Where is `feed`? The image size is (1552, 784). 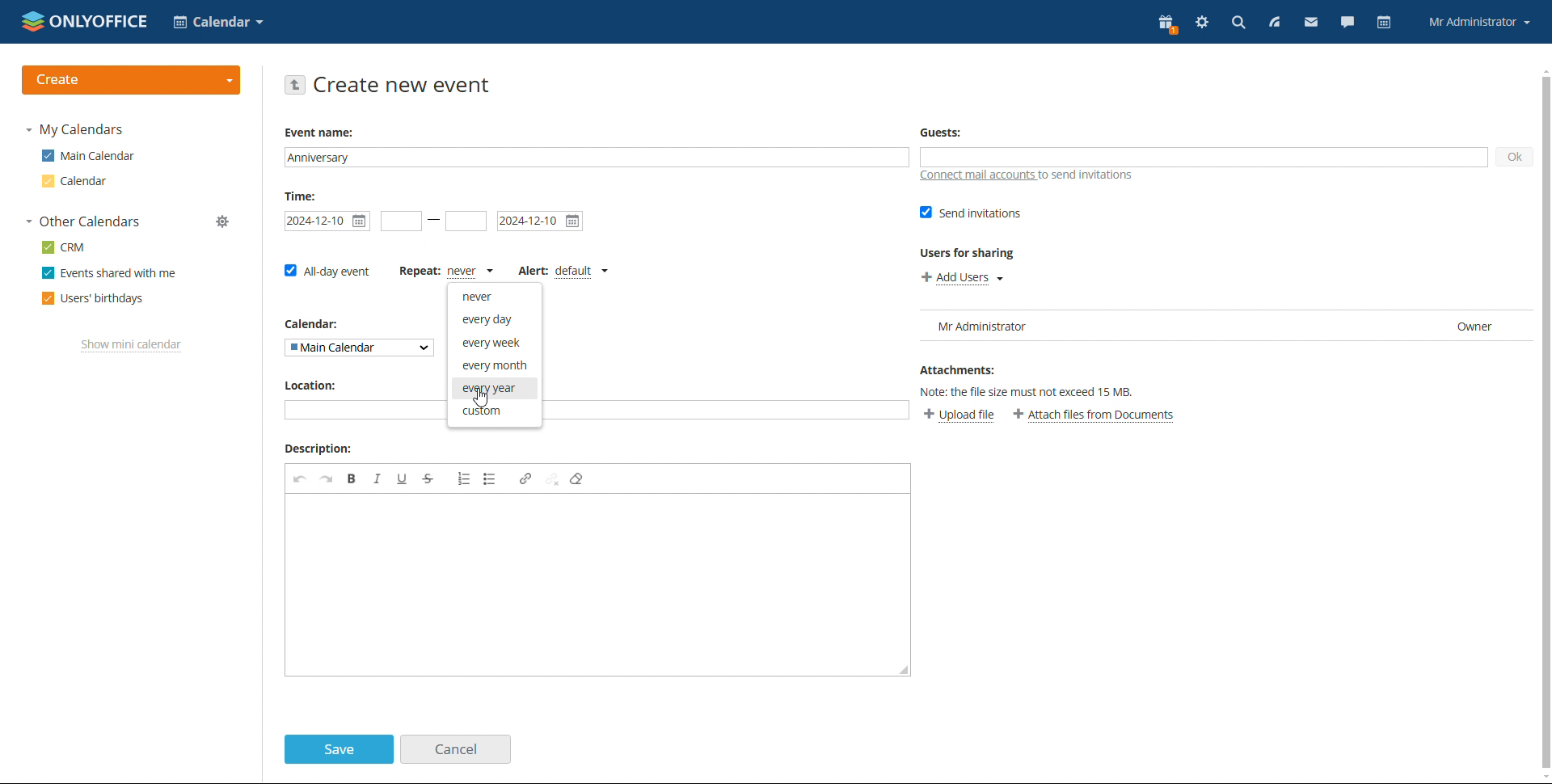 feed is located at coordinates (1274, 23).